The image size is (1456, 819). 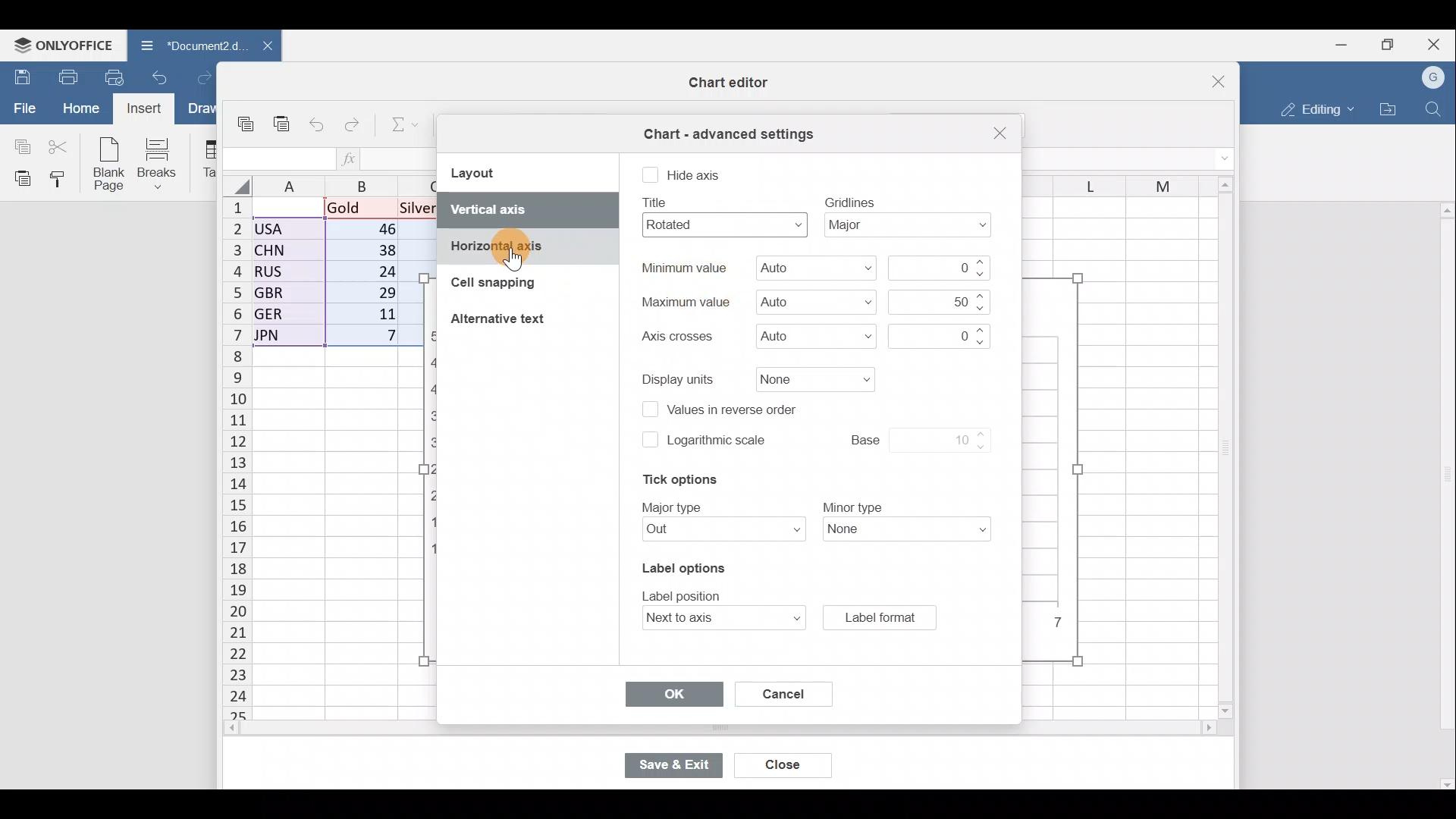 I want to click on Undo, so click(x=318, y=122).